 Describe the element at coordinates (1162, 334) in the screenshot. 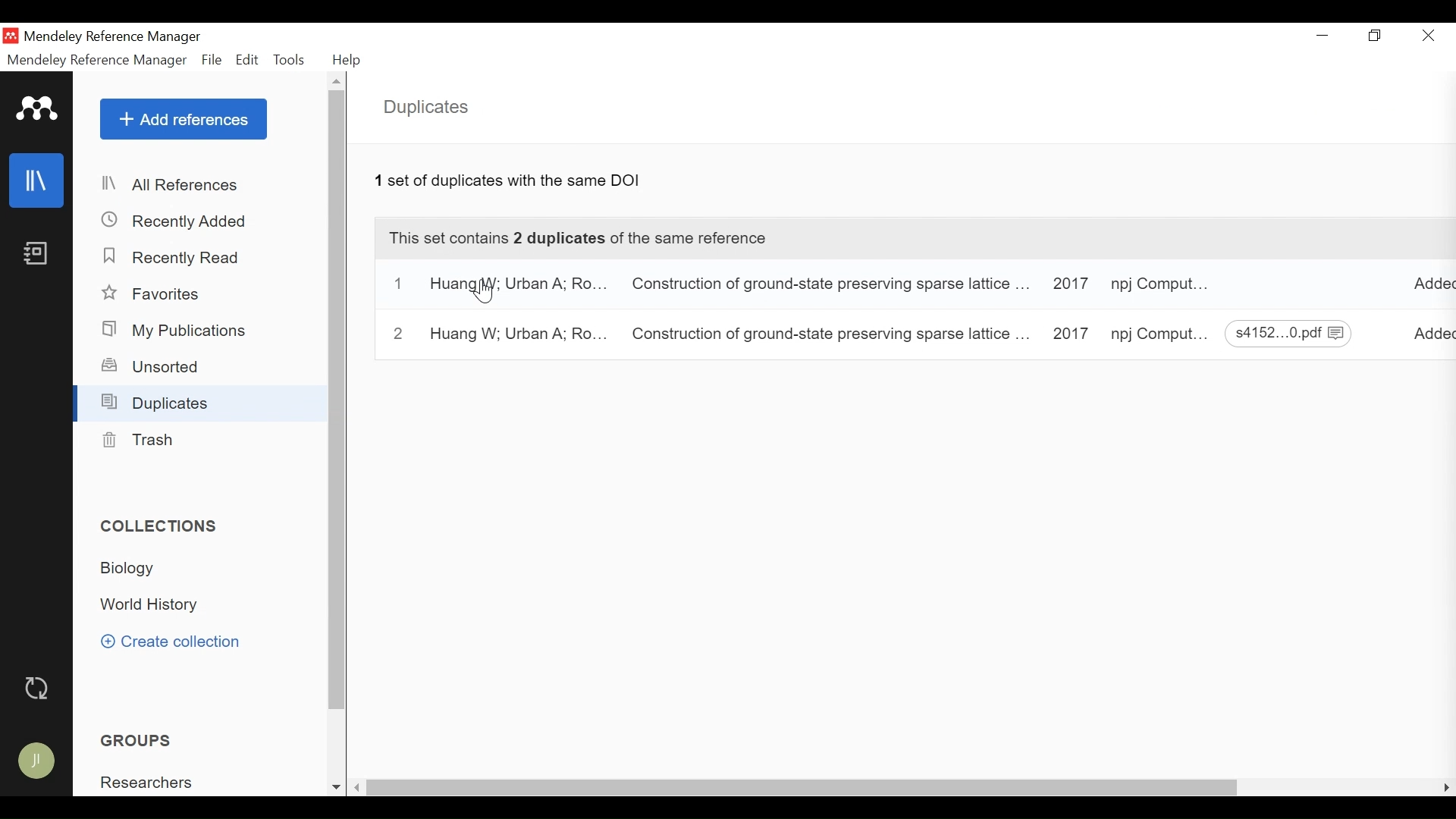

I see `Journal: Computational` at that location.